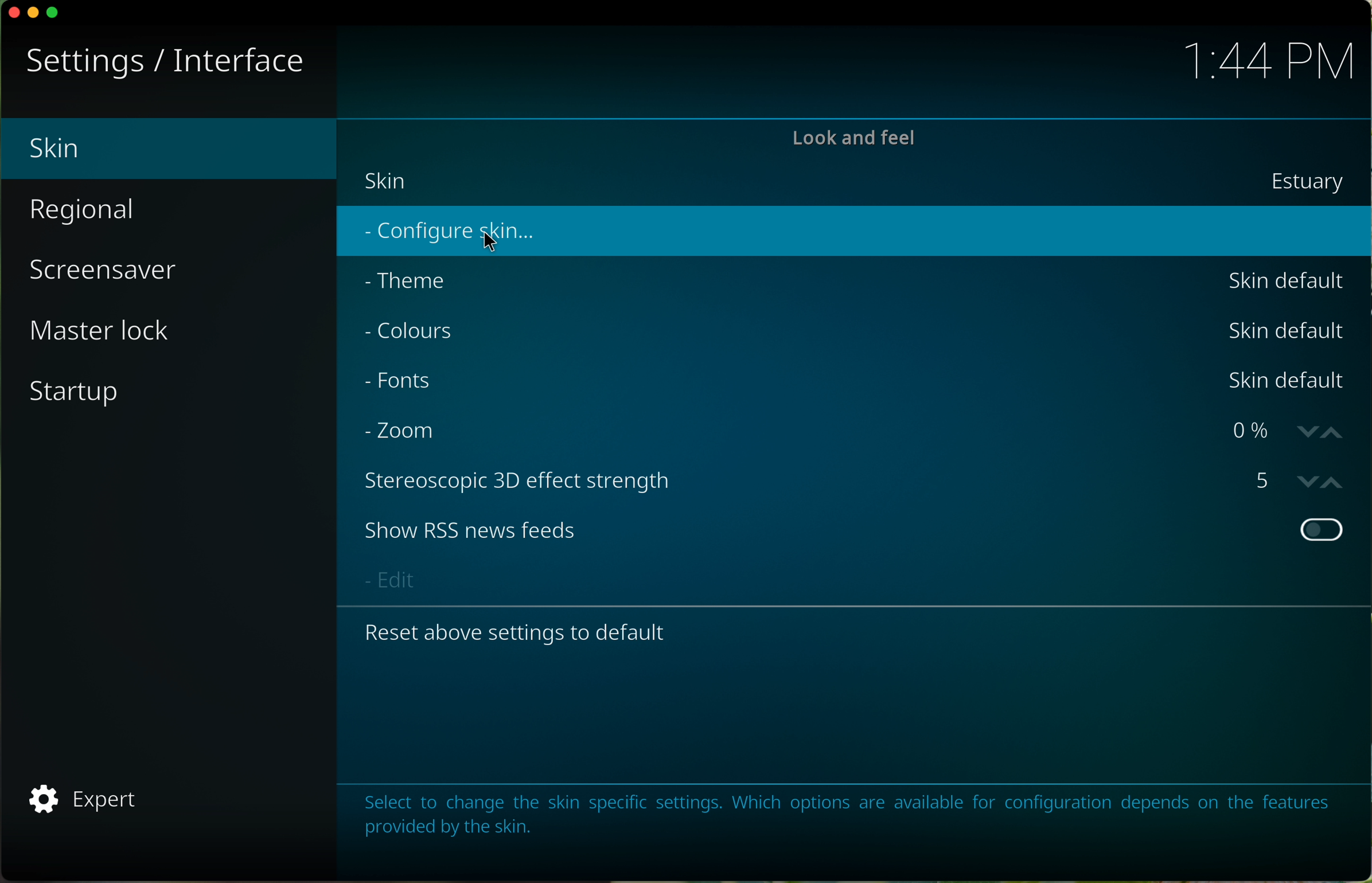 Image resolution: width=1372 pixels, height=883 pixels. I want to click on estuary, so click(1308, 182).